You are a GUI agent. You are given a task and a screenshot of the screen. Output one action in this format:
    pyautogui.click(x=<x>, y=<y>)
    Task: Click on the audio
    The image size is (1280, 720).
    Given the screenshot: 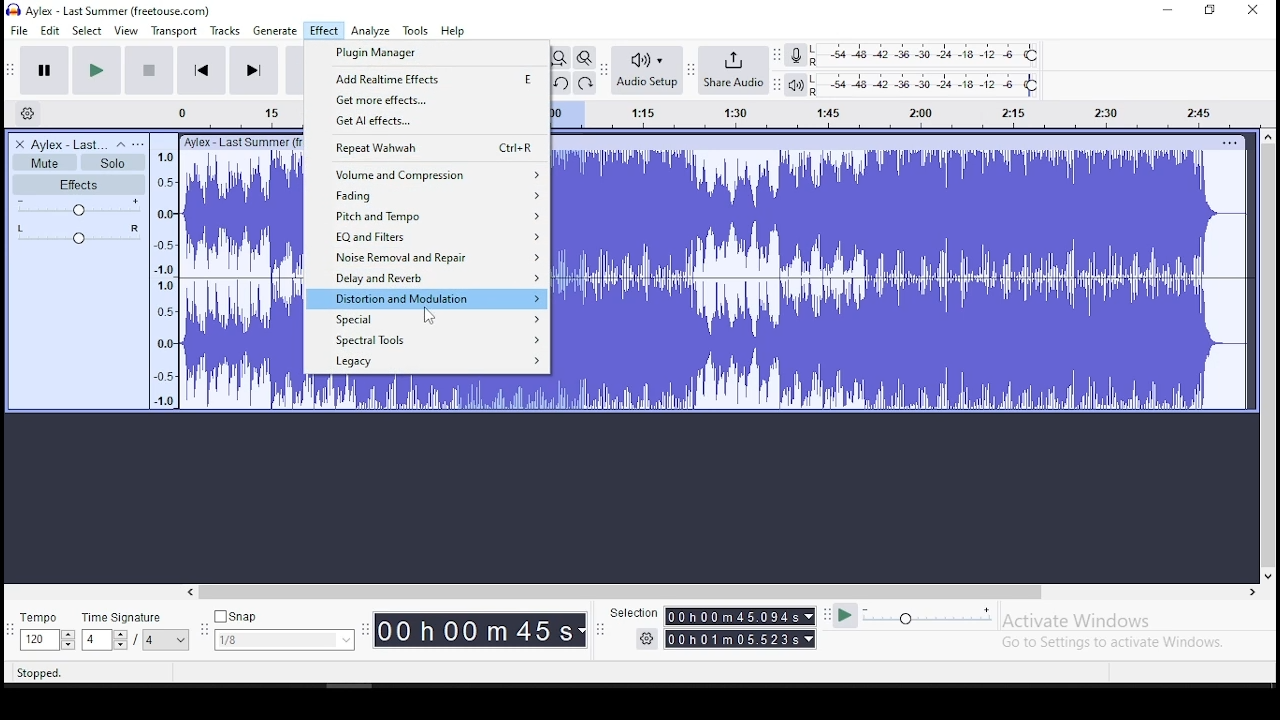 What is the action you would take?
    pyautogui.click(x=70, y=145)
    